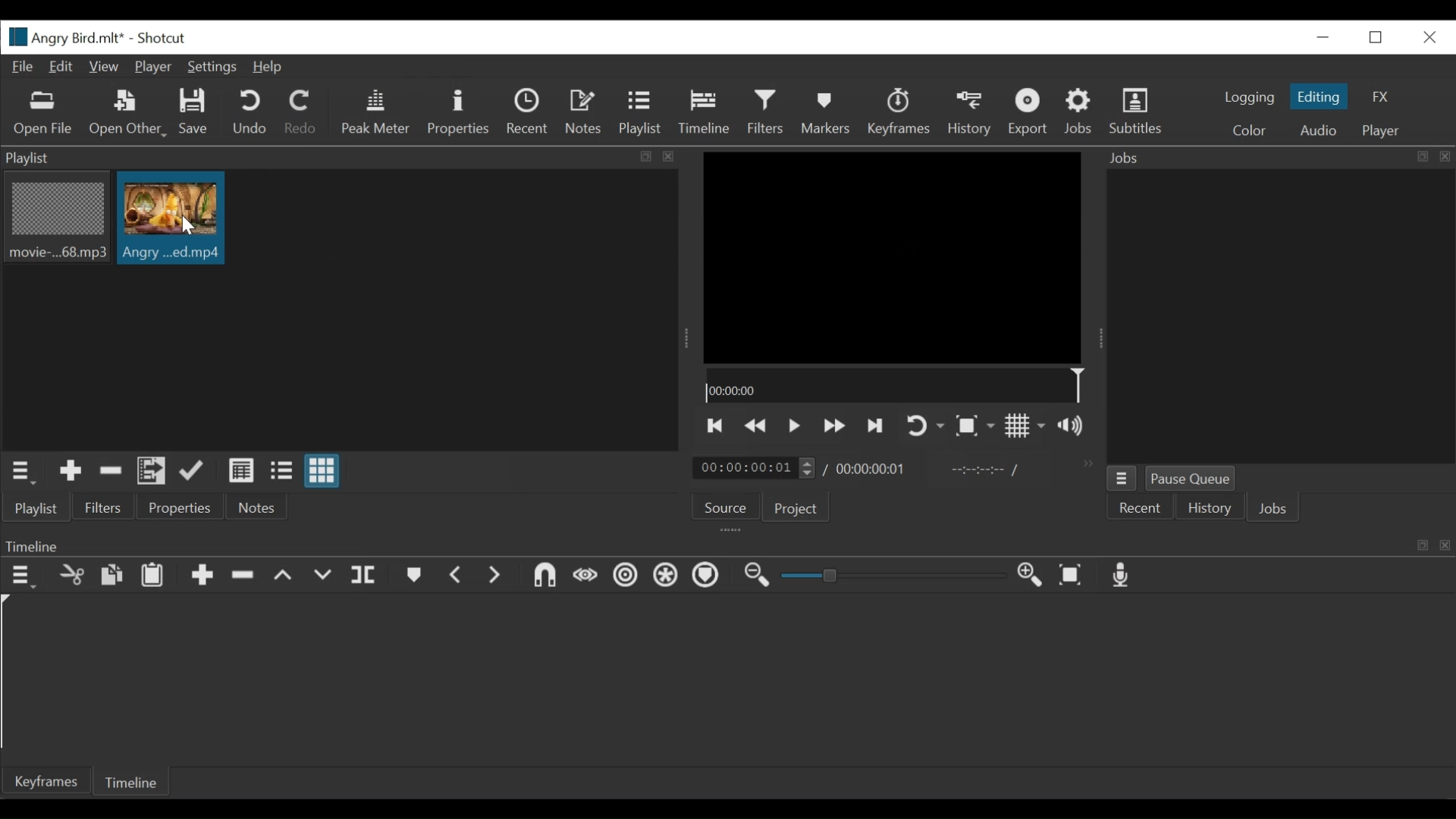  Describe the element at coordinates (1380, 132) in the screenshot. I see `Player` at that location.